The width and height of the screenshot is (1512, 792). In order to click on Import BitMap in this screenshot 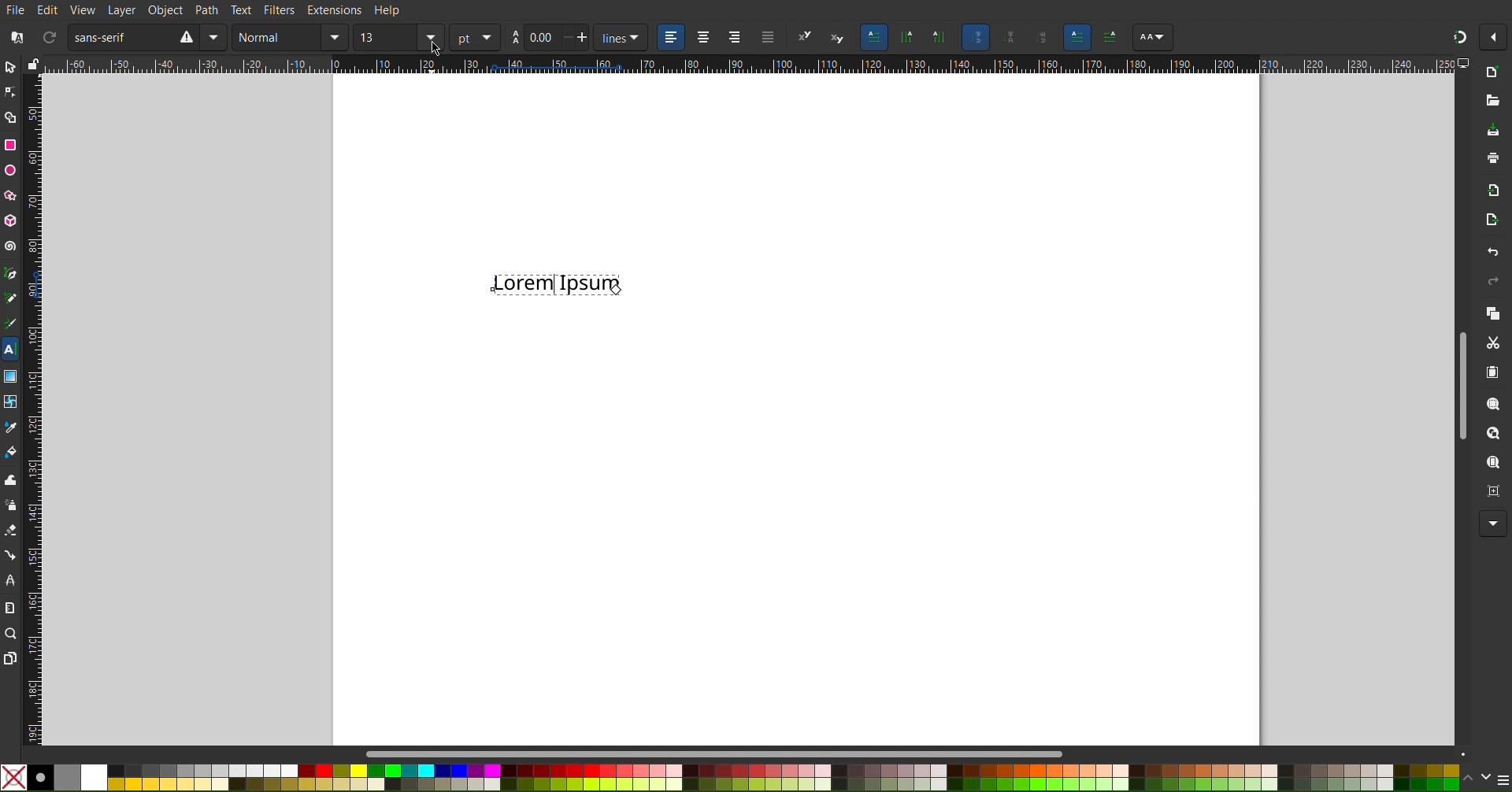, I will do `click(1489, 188)`.